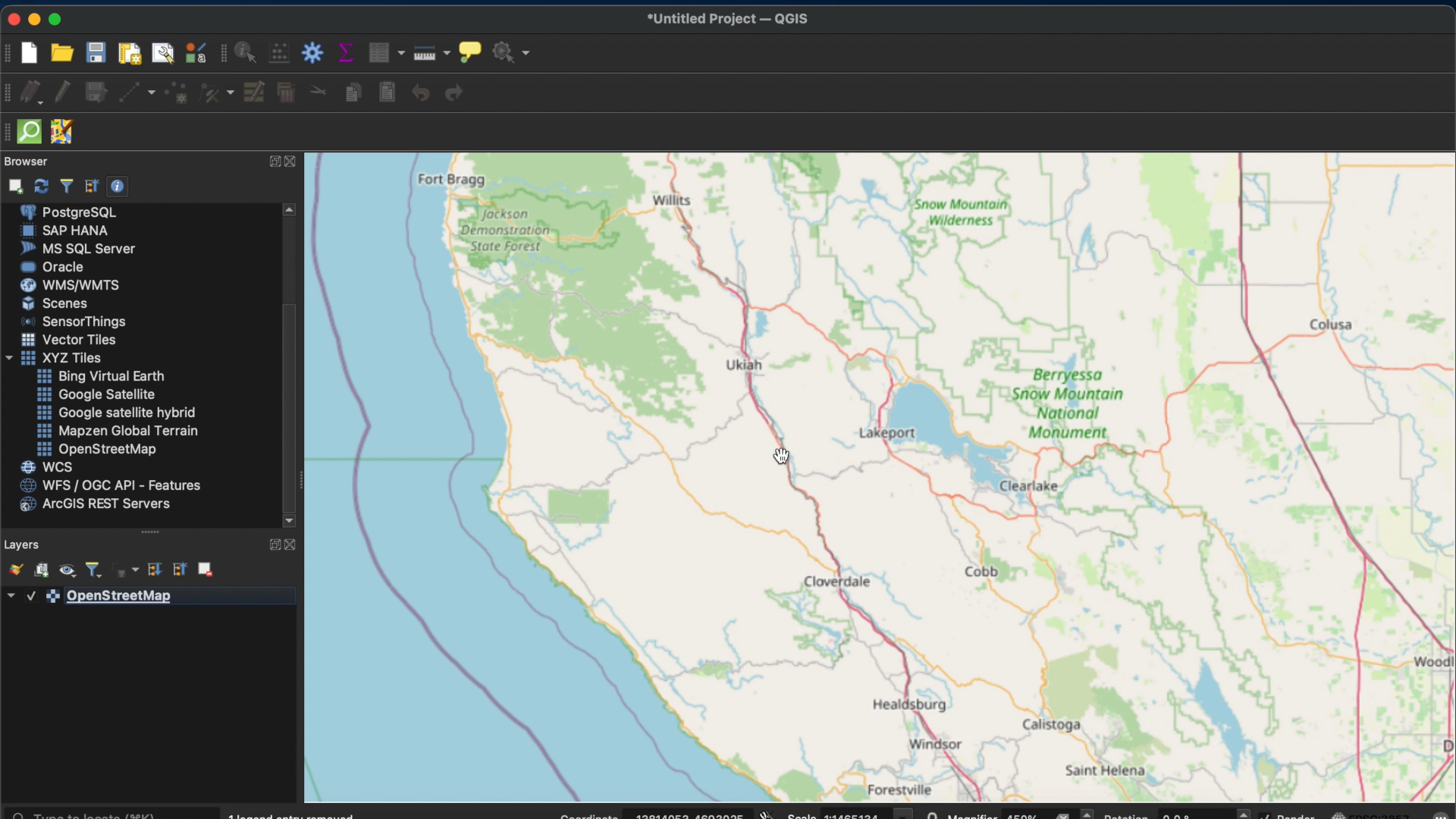 The height and width of the screenshot is (819, 1456). Describe the element at coordinates (33, 93) in the screenshot. I see `current edits` at that location.